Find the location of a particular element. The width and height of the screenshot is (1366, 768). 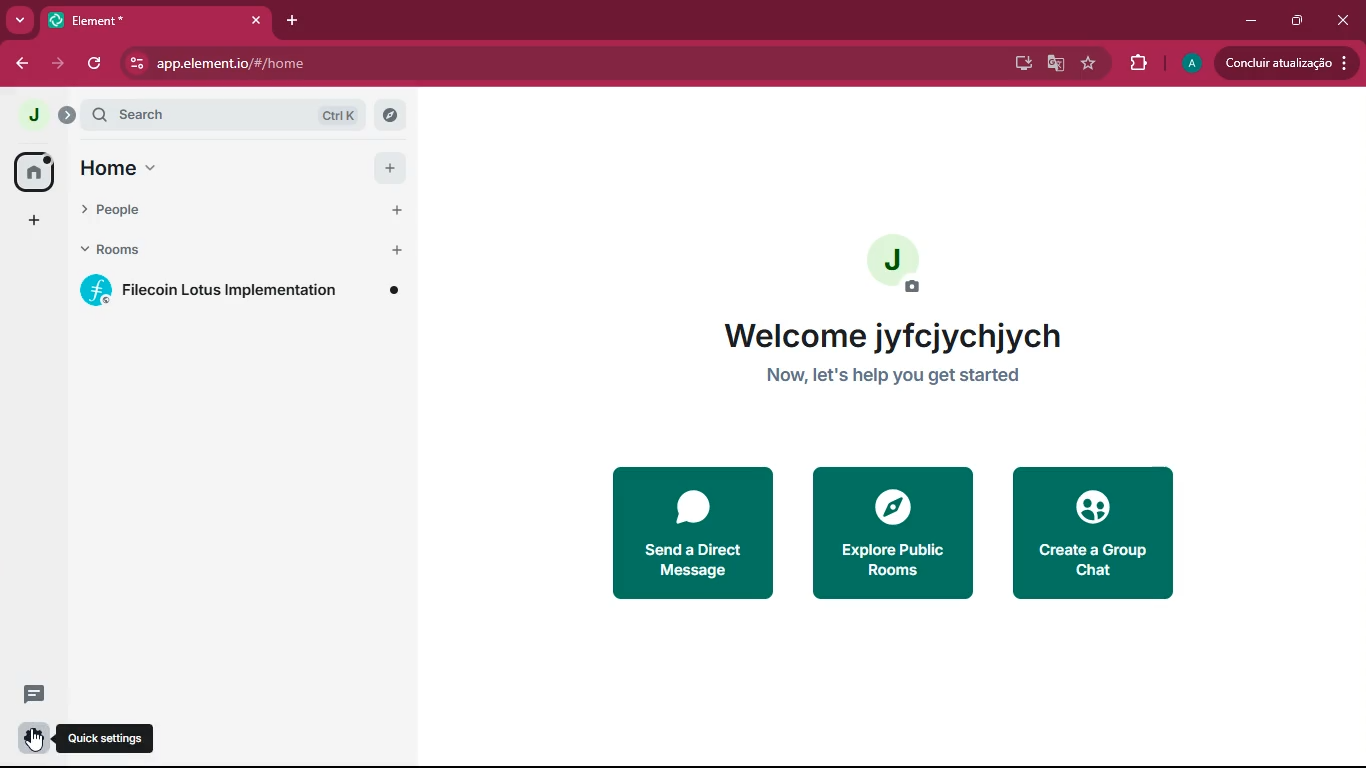

back is located at coordinates (19, 63).